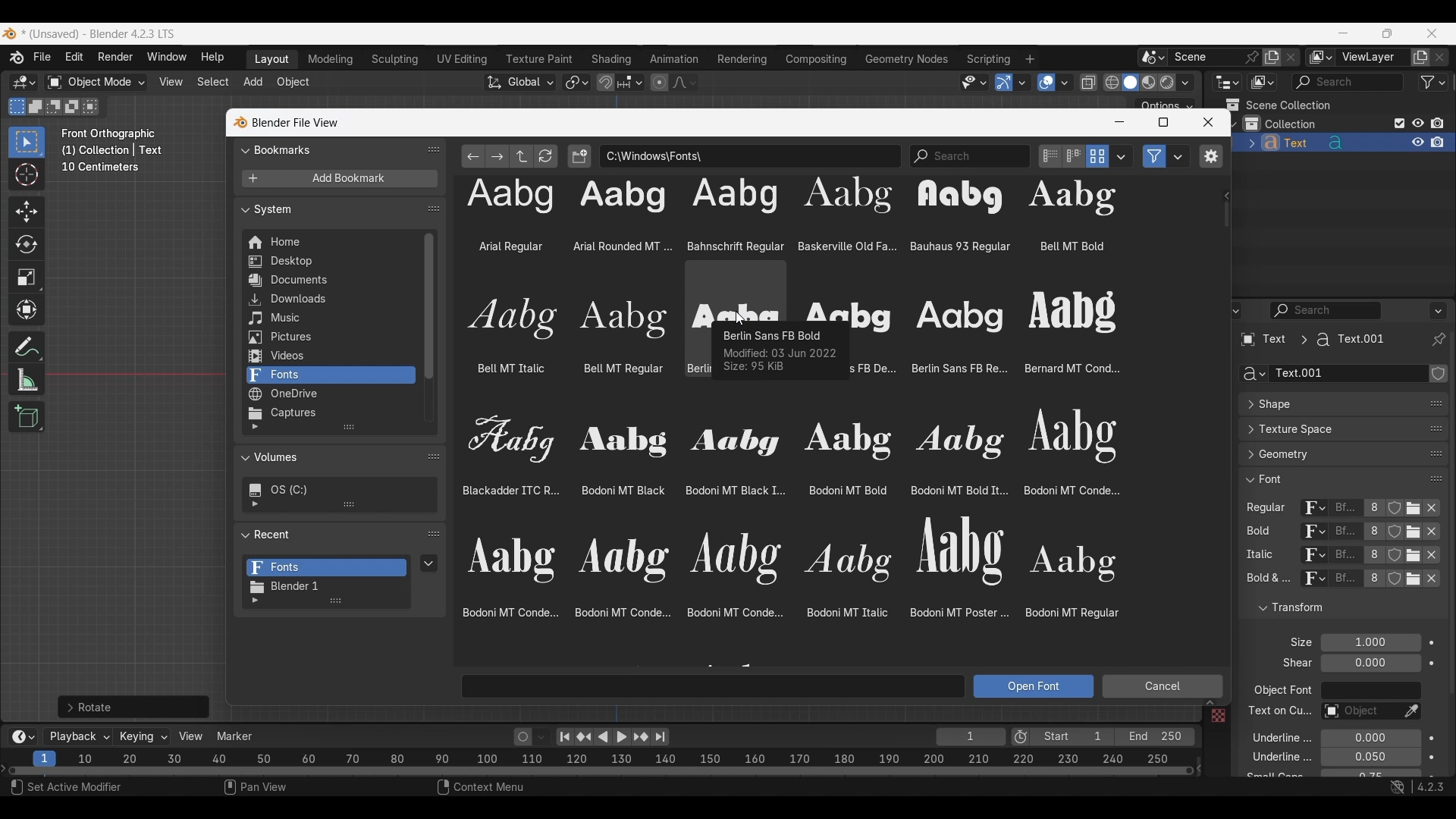 This screenshot has height=819, width=1456. I want to click on Medeling workspace, so click(331, 60).